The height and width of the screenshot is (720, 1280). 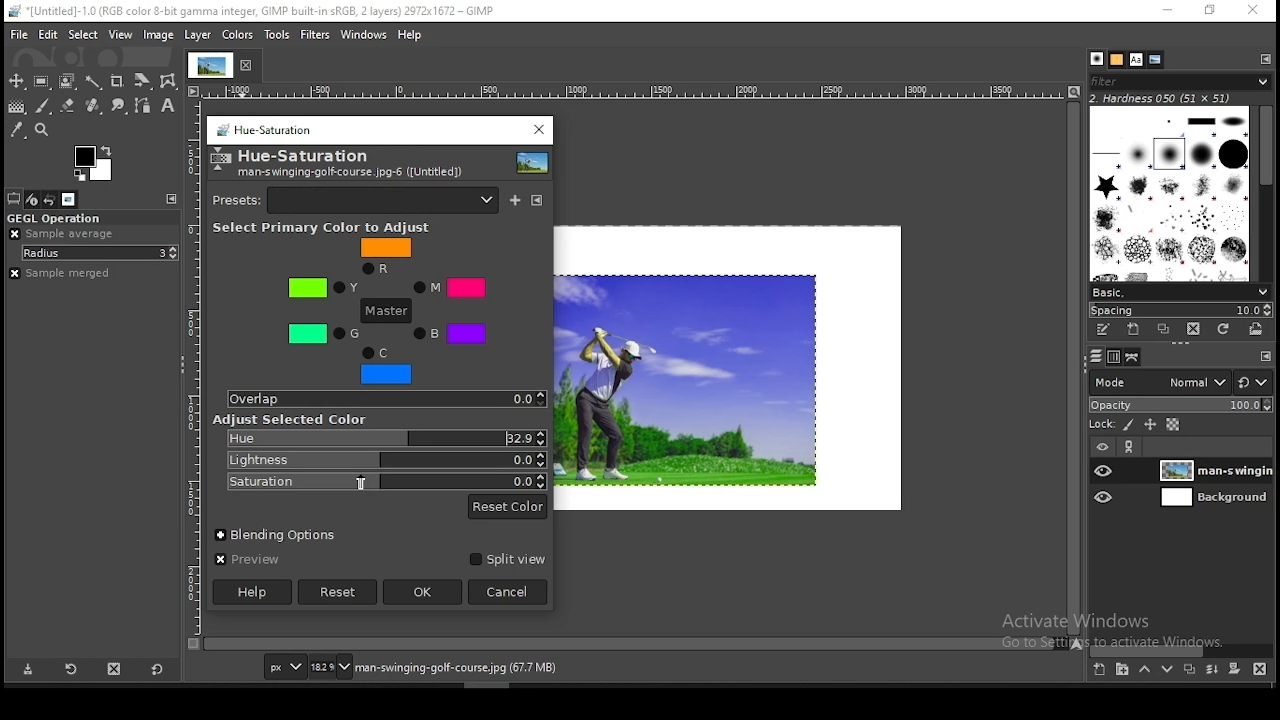 I want to click on scroll bar, so click(x=1073, y=369).